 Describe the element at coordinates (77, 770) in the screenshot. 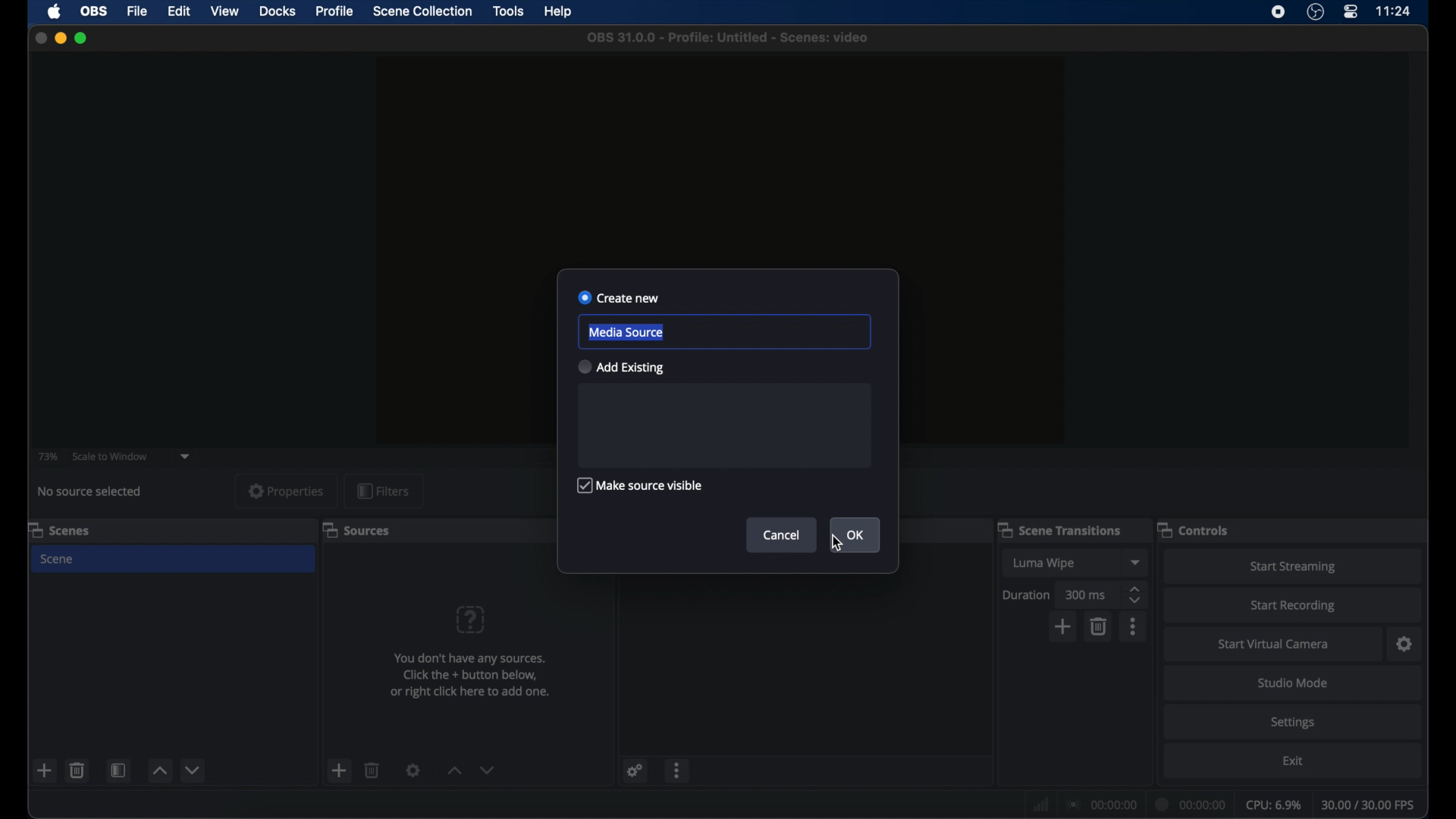

I see `delete` at that location.